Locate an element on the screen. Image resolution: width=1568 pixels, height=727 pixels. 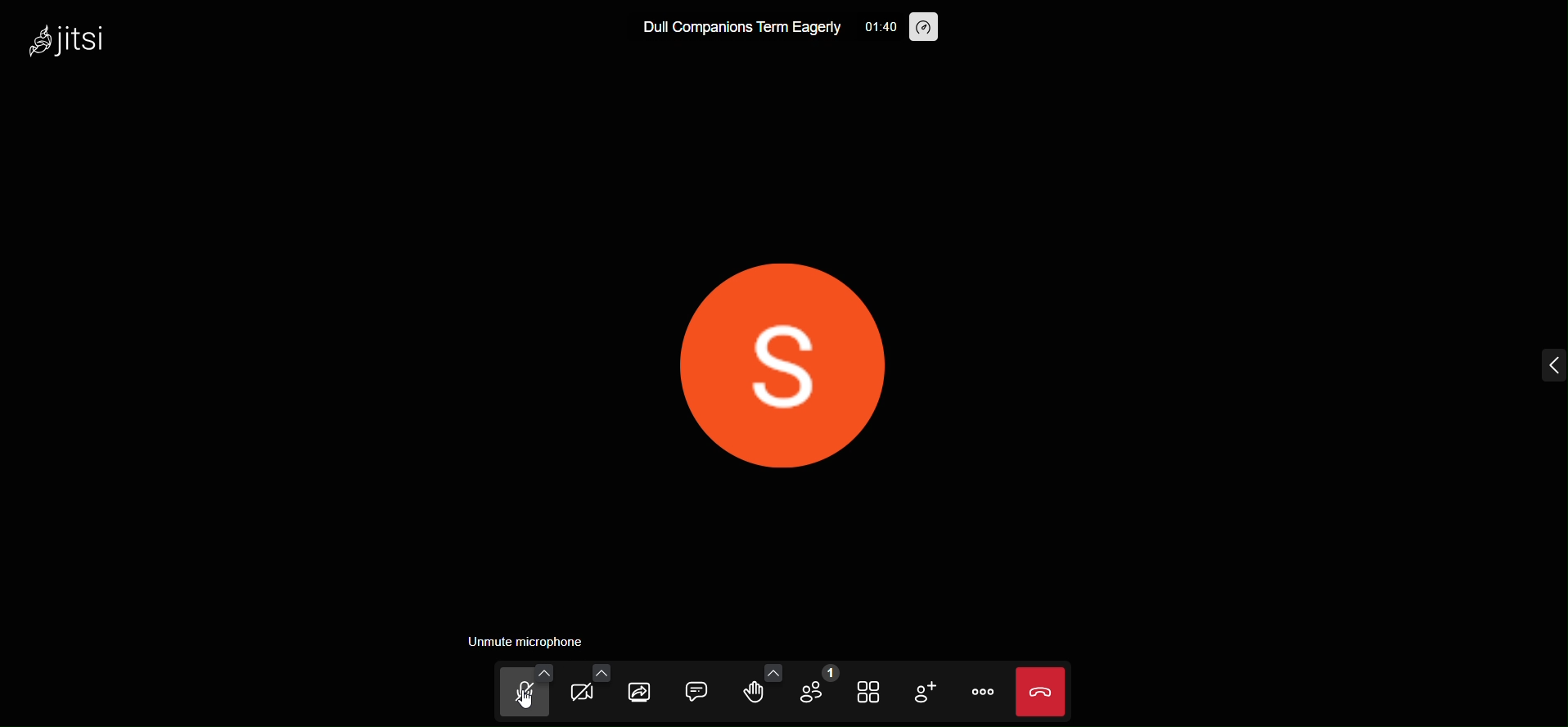
tile view is located at coordinates (864, 691).